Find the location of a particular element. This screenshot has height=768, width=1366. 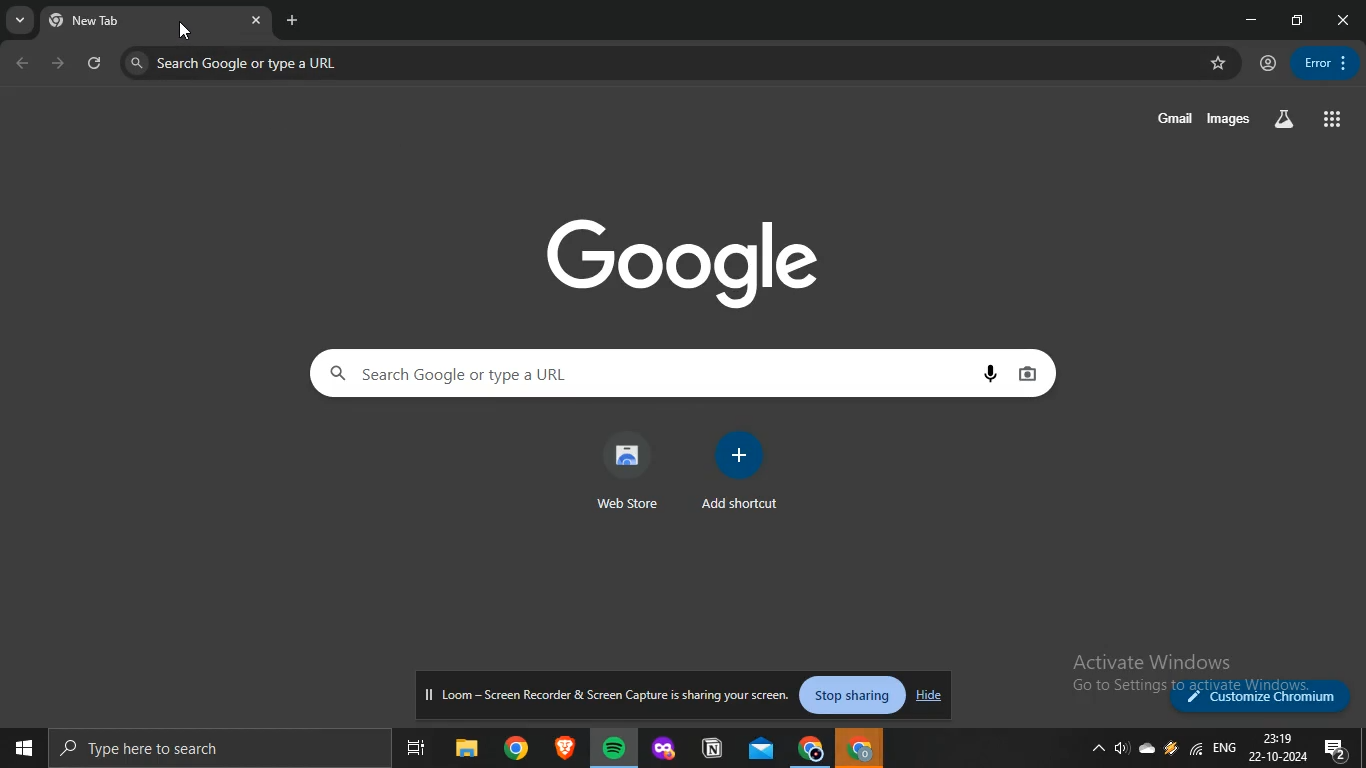

winamp is located at coordinates (1170, 748).